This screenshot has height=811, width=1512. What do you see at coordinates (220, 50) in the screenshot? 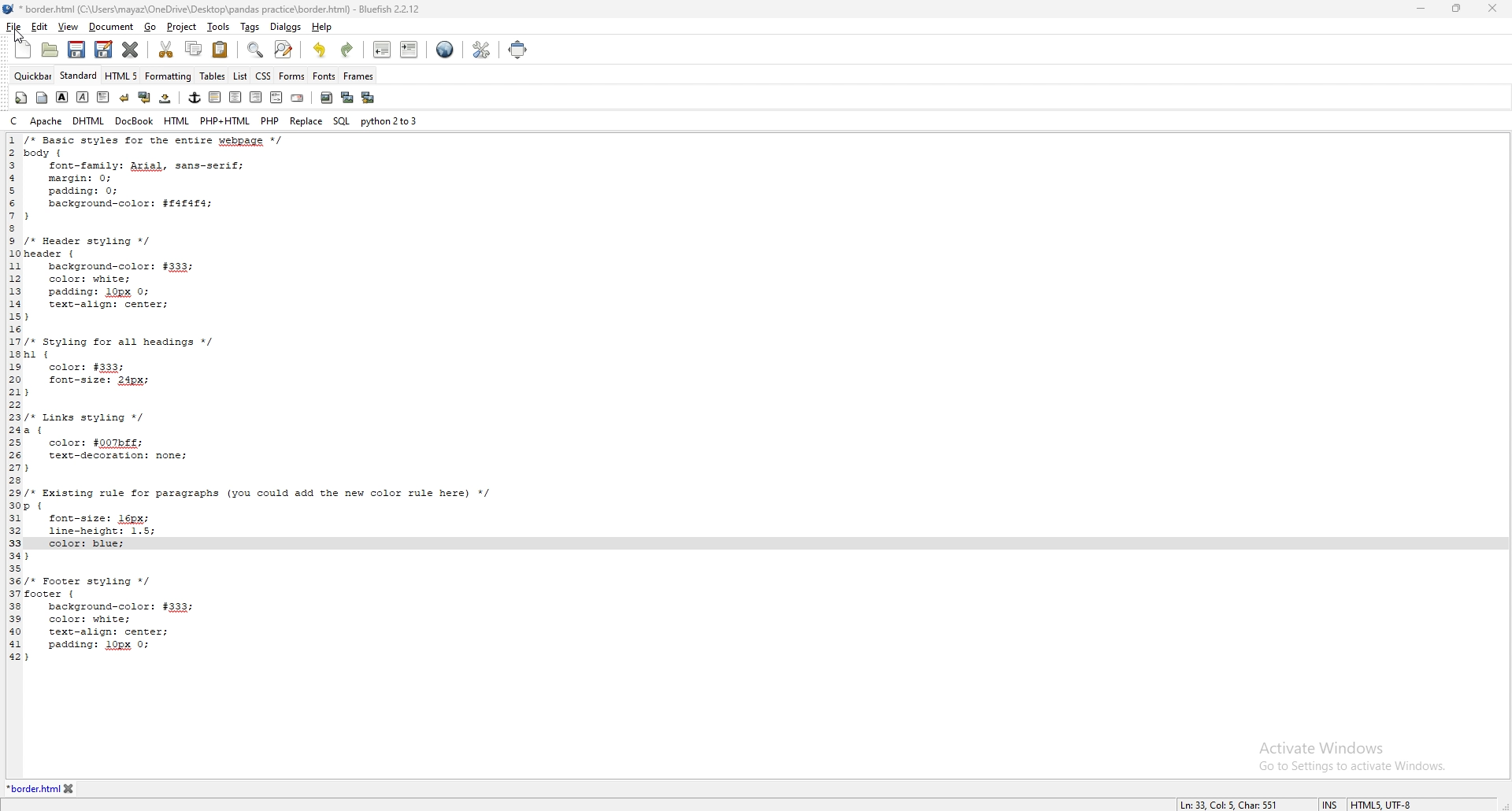
I see `paste` at bounding box center [220, 50].